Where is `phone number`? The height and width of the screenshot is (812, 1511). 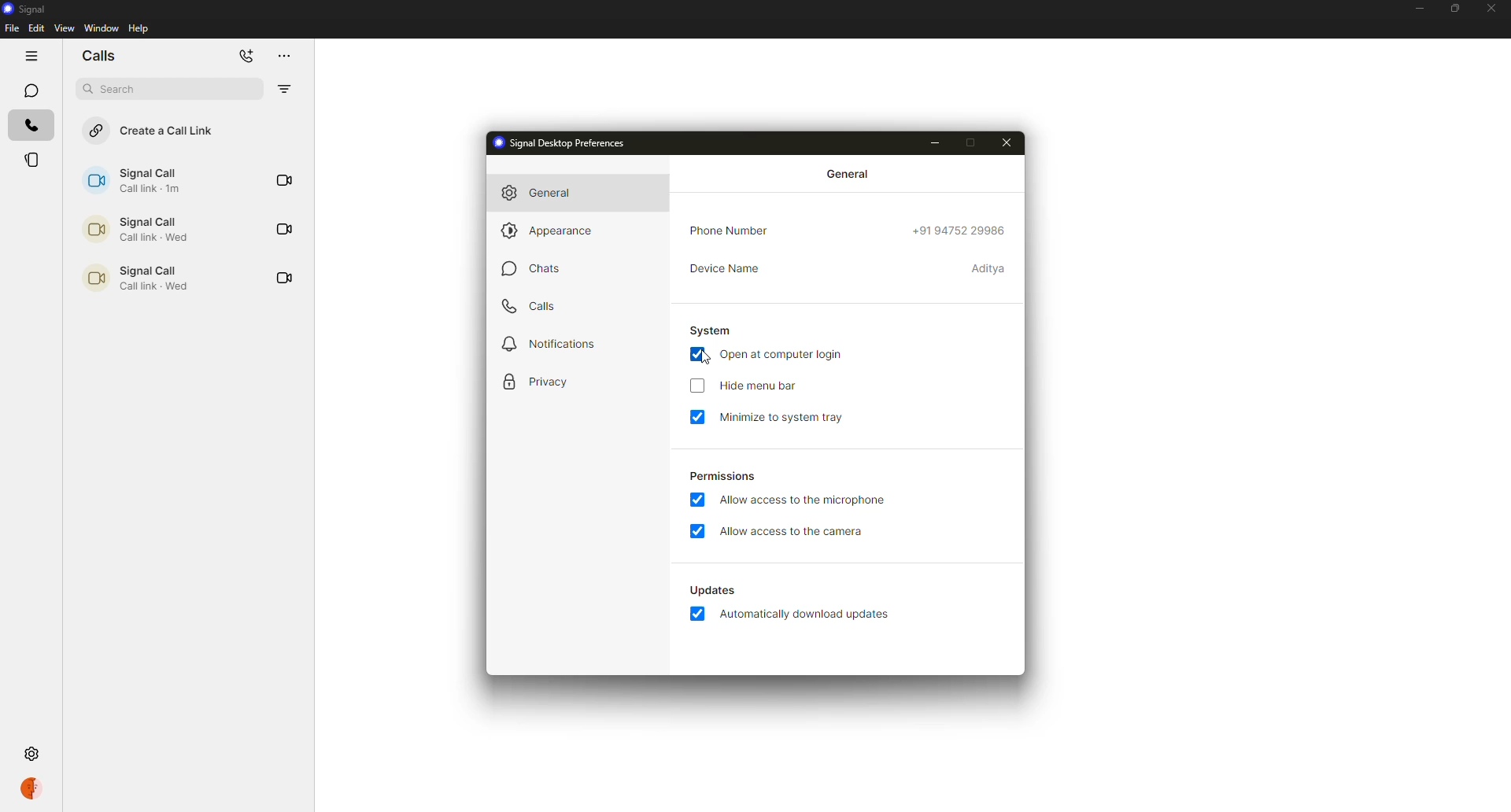 phone number is located at coordinates (729, 231).